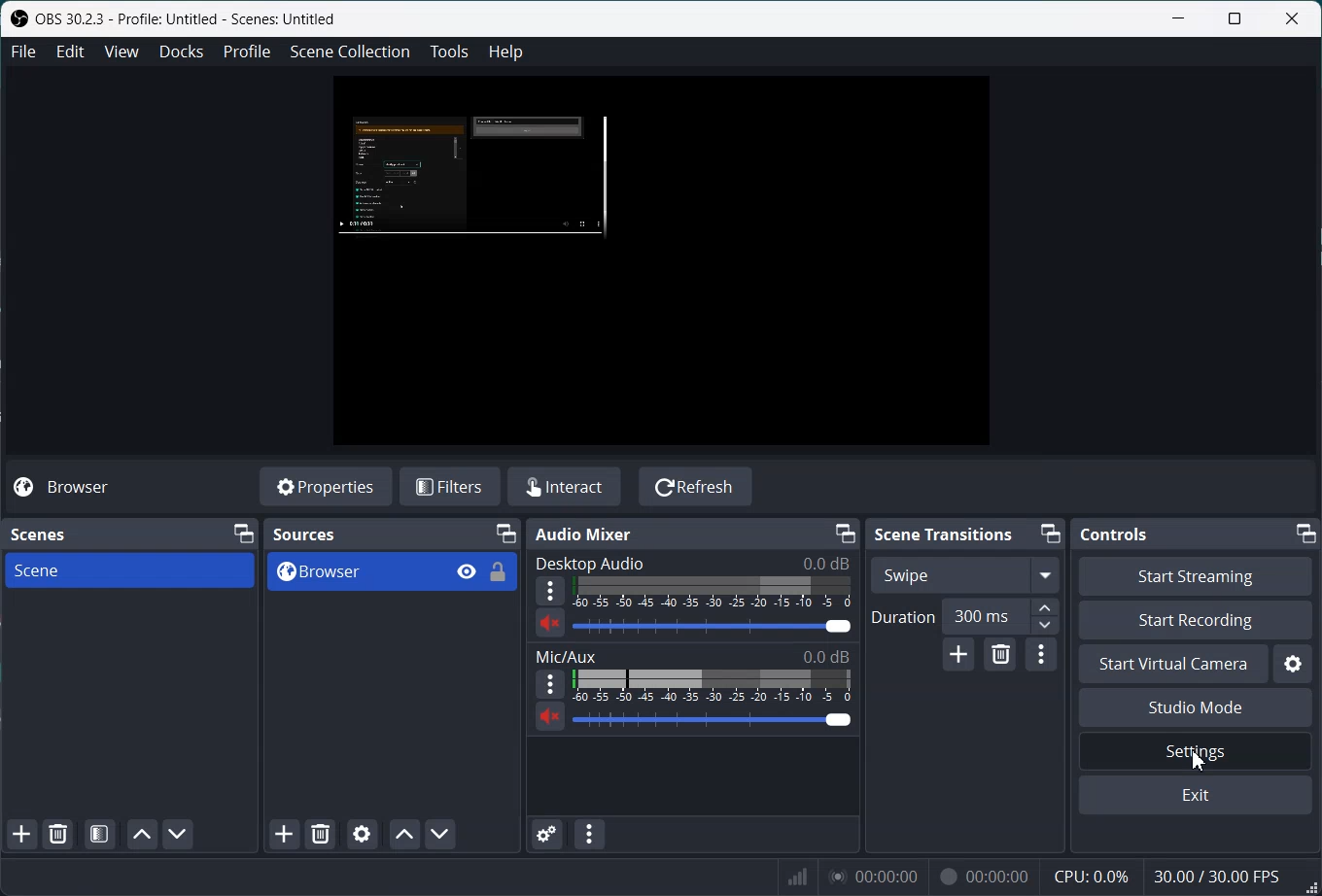  What do you see at coordinates (1196, 575) in the screenshot?
I see `Start Streaming` at bounding box center [1196, 575].